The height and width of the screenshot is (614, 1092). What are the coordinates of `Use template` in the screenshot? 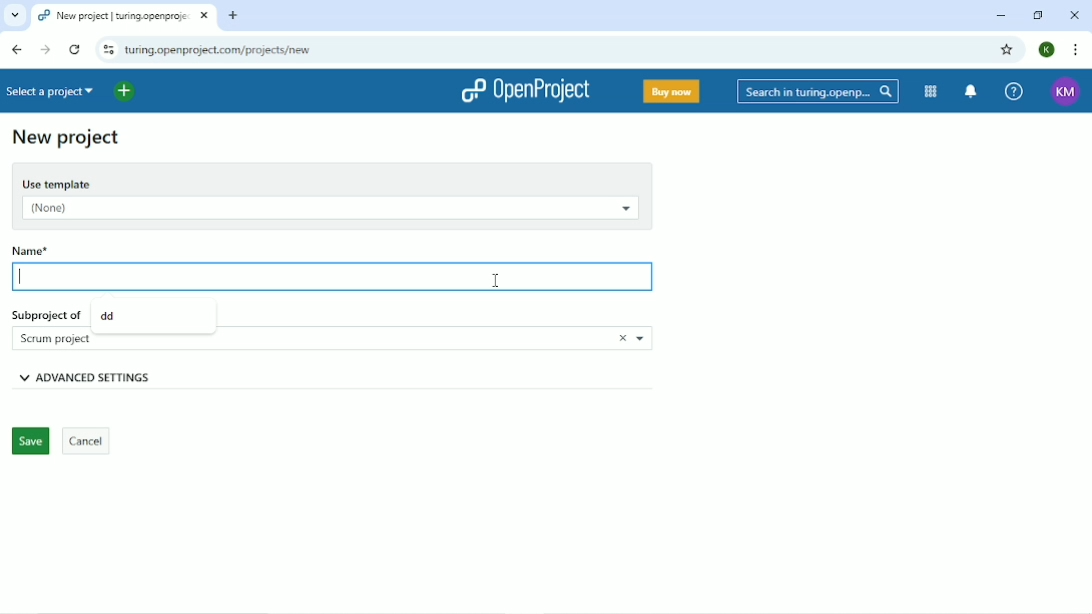 It's located at (331, 181).